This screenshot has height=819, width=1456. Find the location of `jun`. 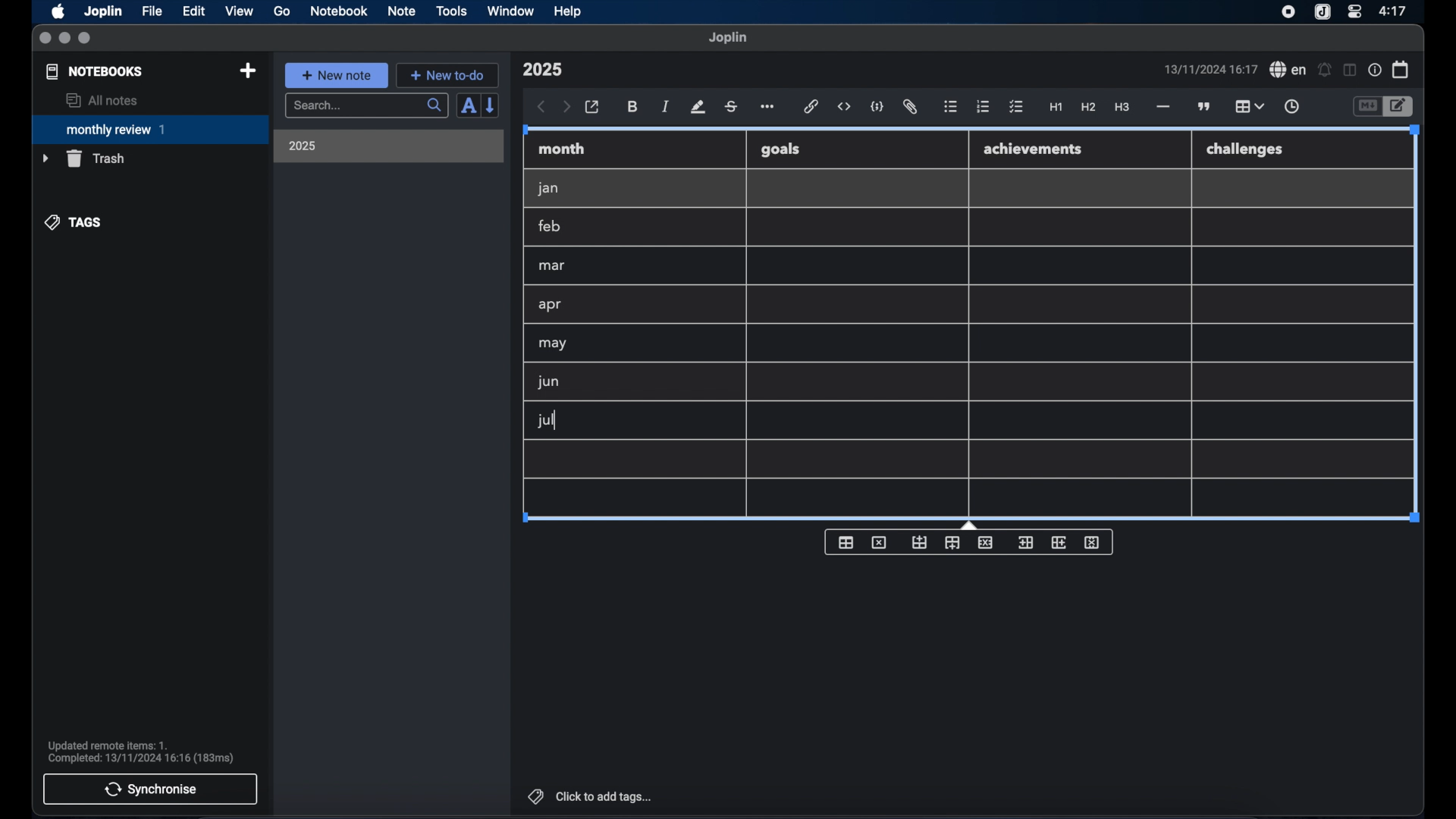

jun is located at coordinates (547, 381).